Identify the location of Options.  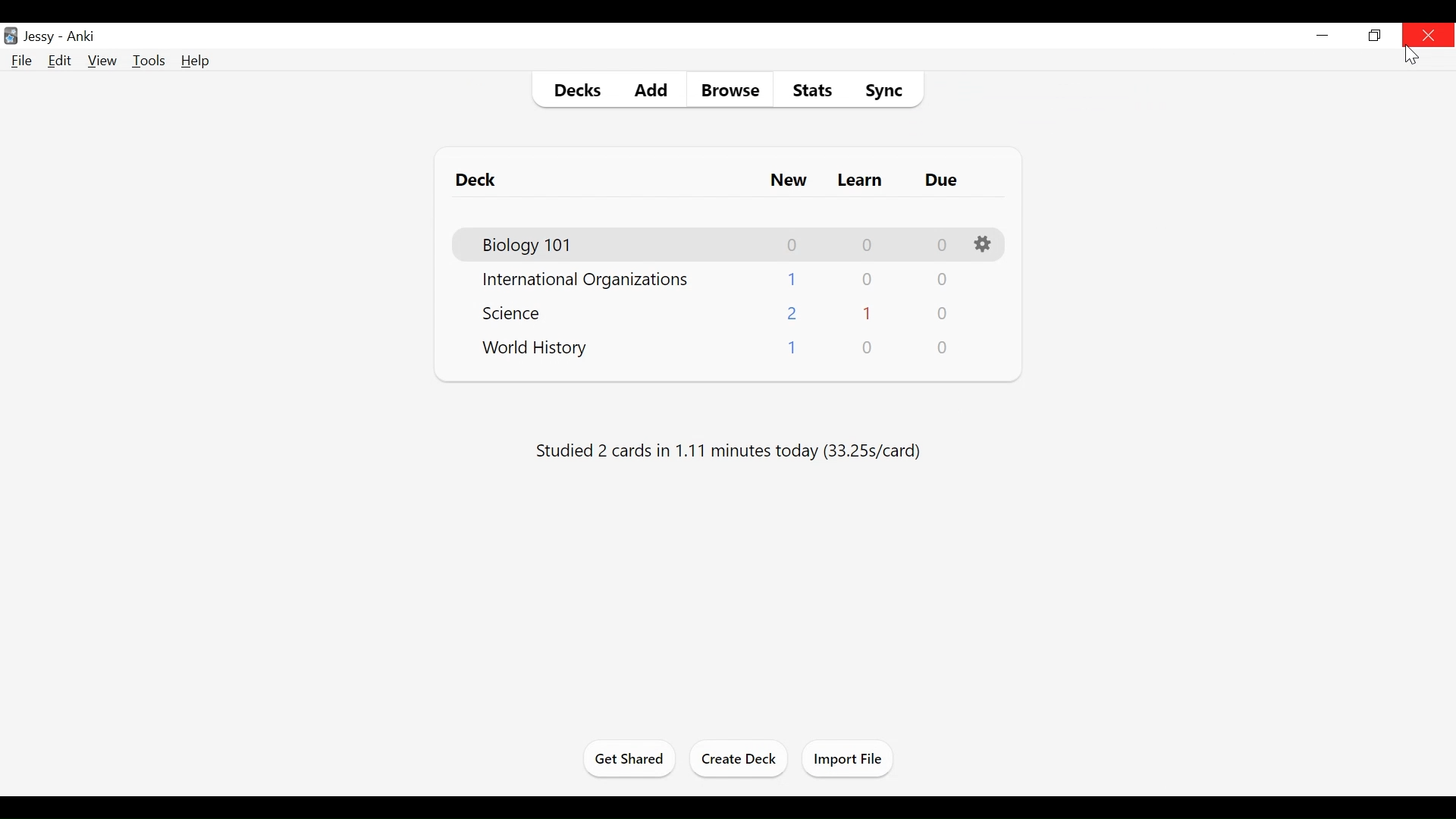
(984, 244).